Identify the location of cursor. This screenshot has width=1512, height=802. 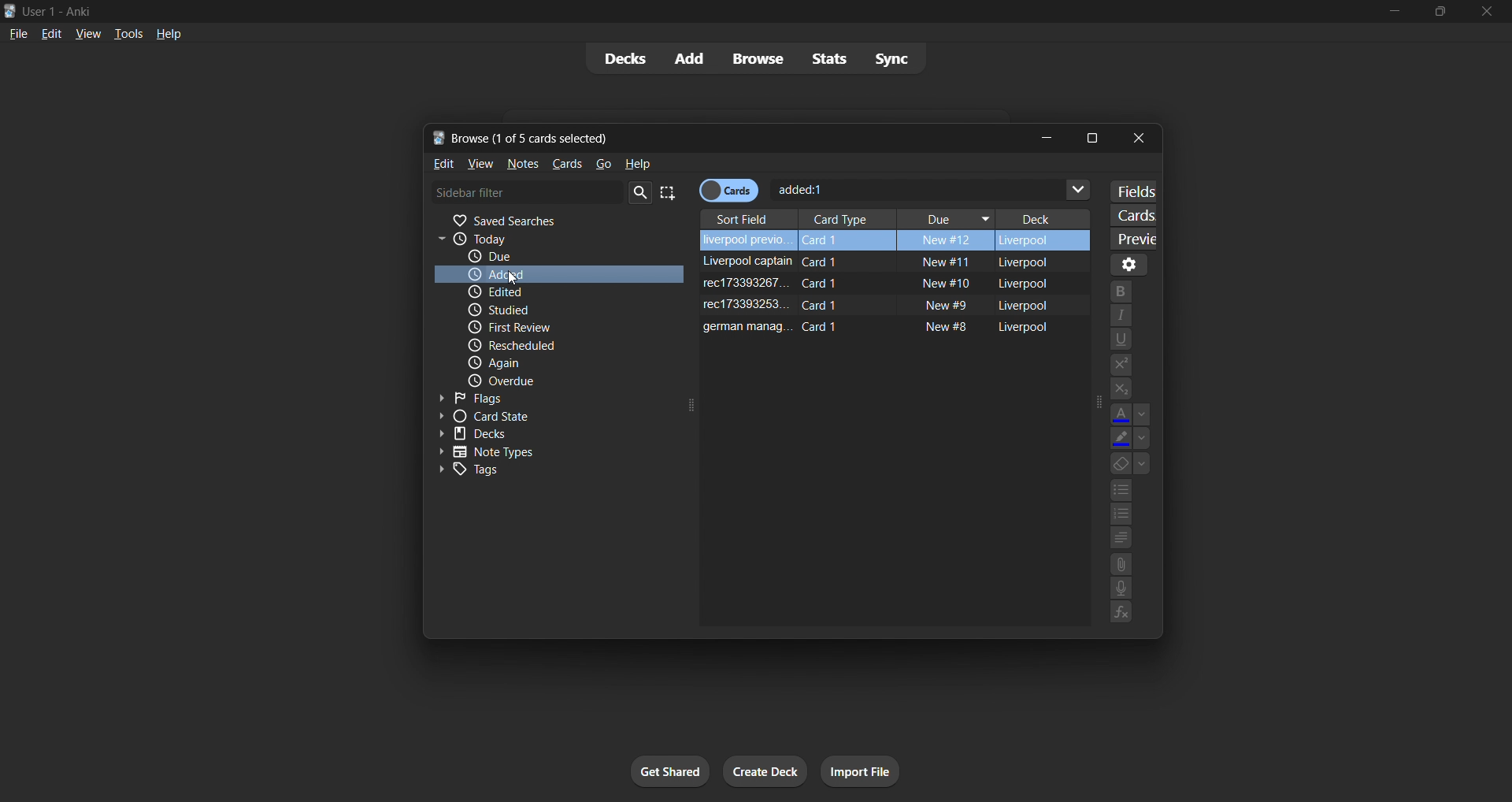
(510, 278).